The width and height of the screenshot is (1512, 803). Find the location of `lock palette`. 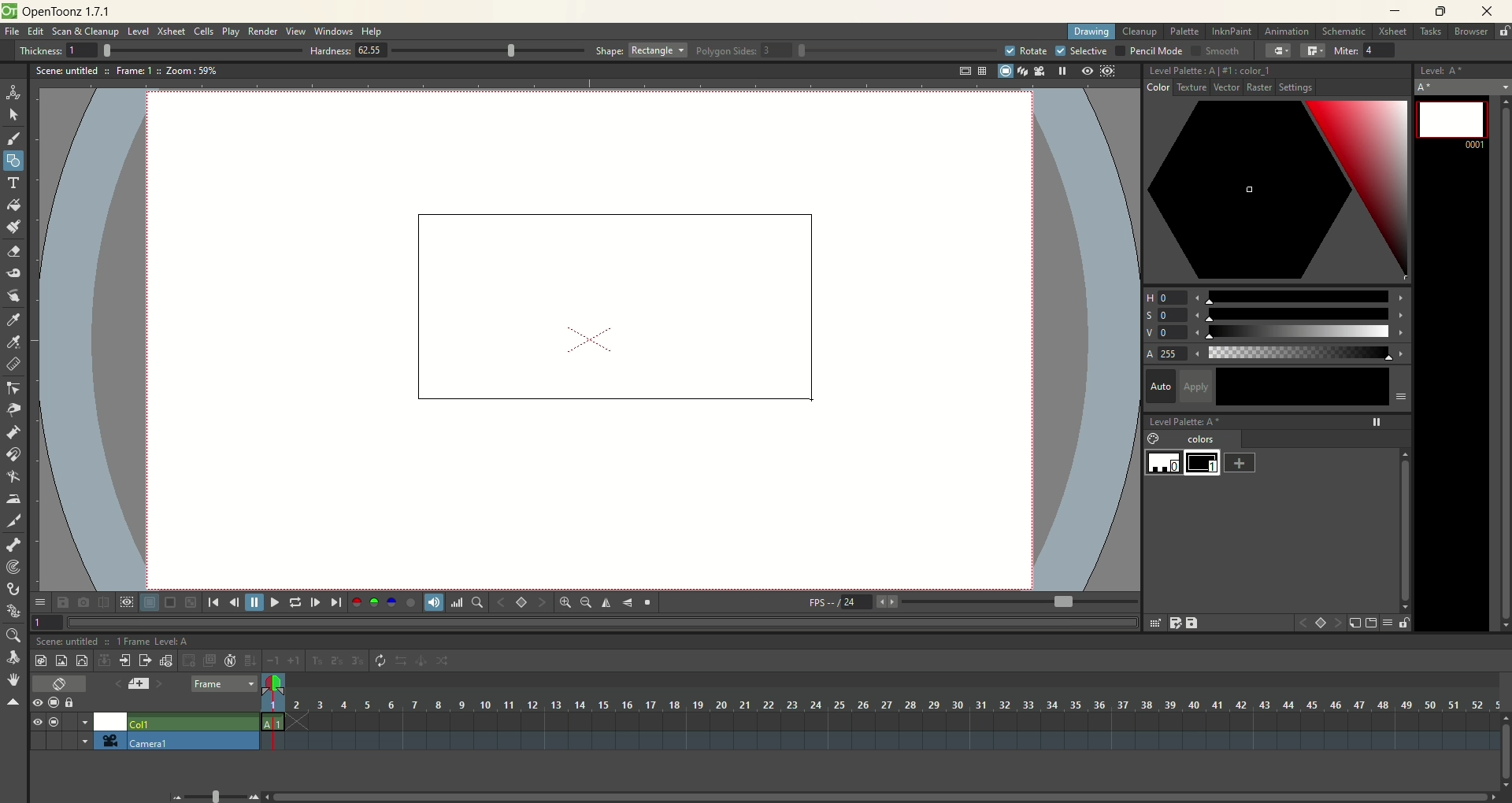

lock palette is located at coordinates (1395, 623).